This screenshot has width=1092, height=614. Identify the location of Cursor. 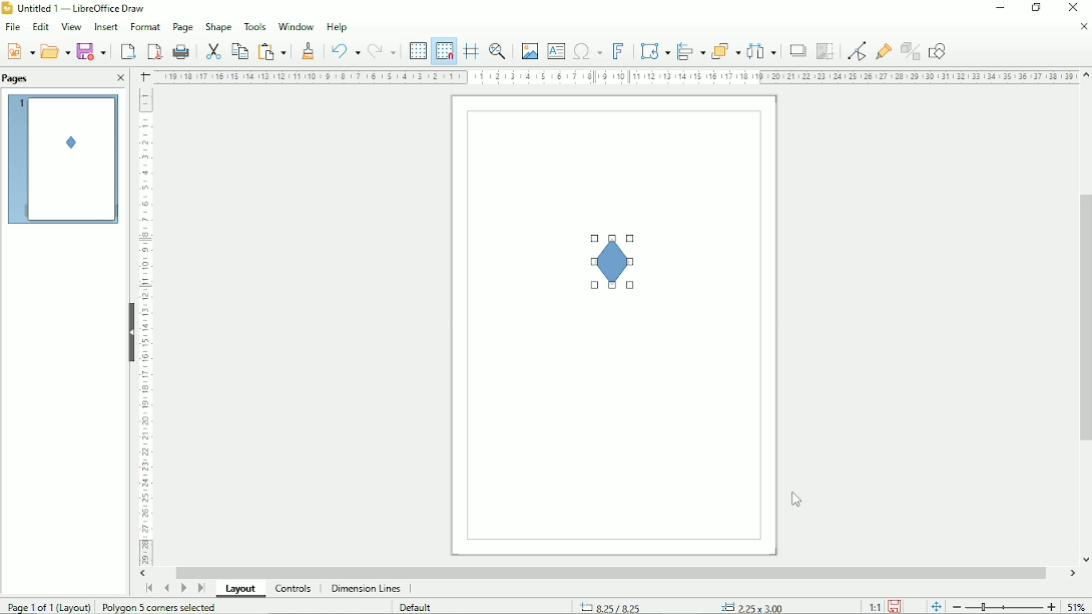
(797, 499).